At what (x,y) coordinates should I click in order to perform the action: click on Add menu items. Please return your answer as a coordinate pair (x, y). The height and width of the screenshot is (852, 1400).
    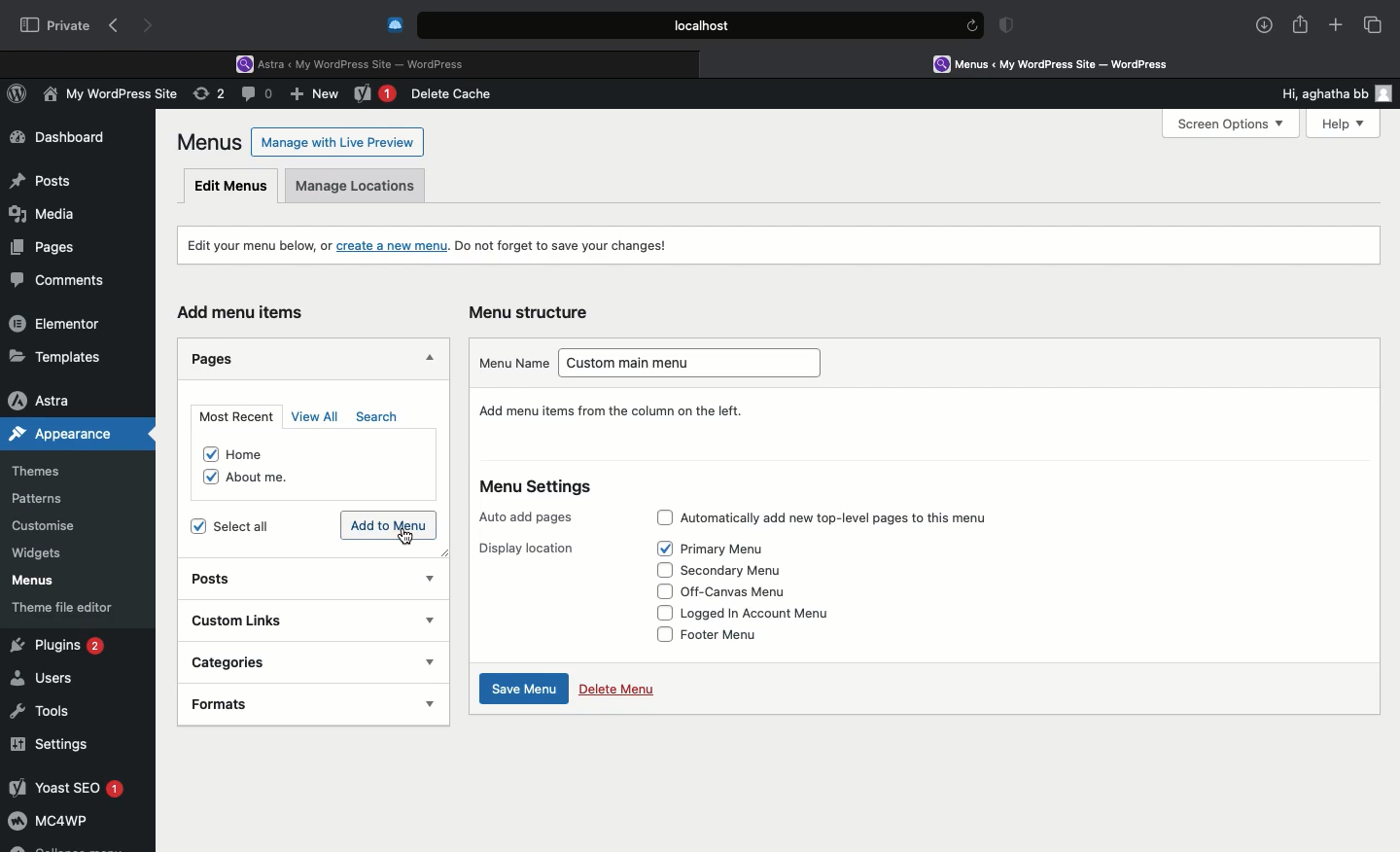
    Looking at the image, I should click on (249, 313).